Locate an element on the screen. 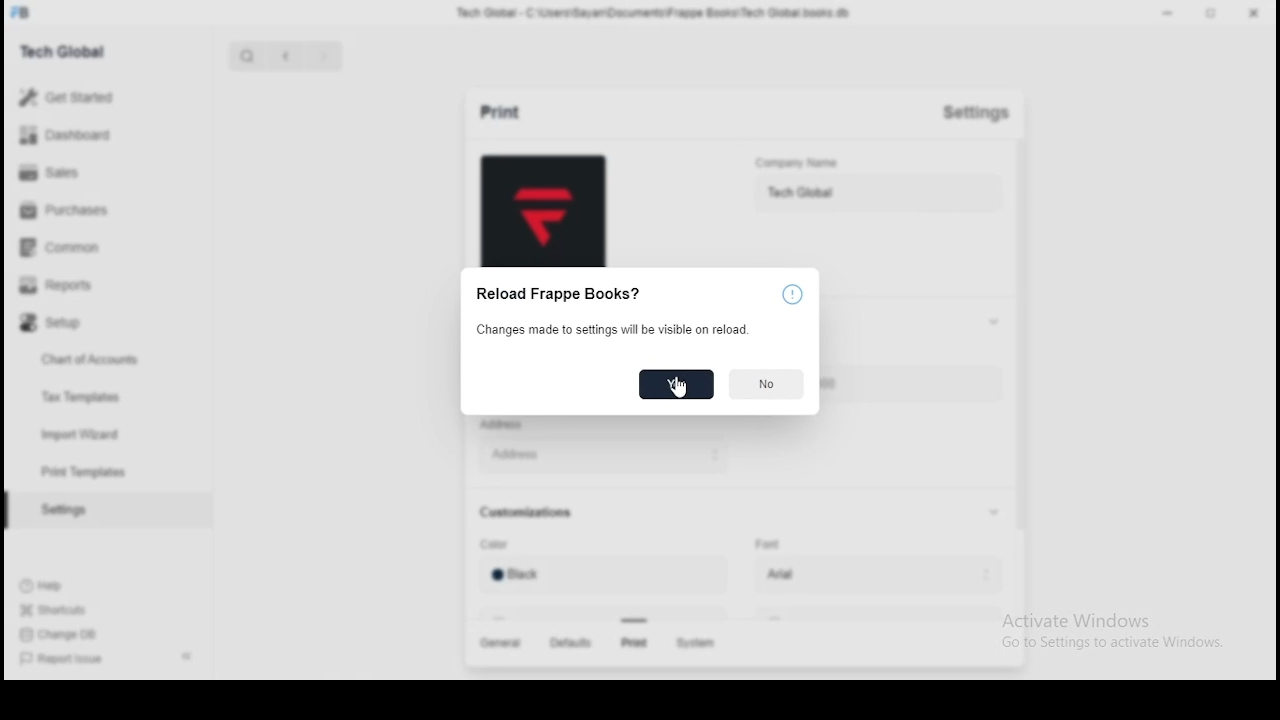 The height and width of the screenshot is (720, 1280). Dashboard  is located at coordinates (85, 135).